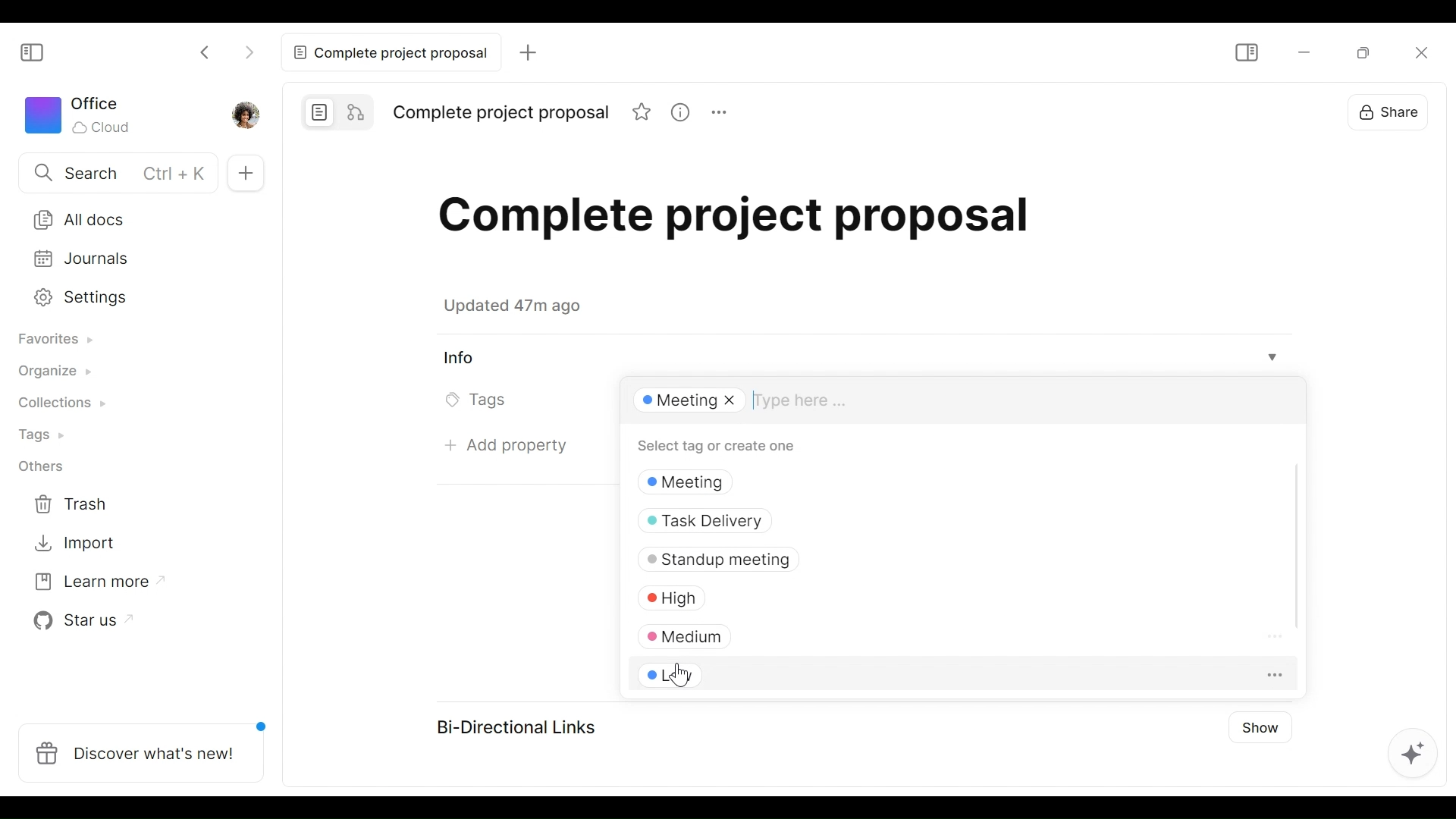  I want to click on Task Delivery, so click(847, 519).